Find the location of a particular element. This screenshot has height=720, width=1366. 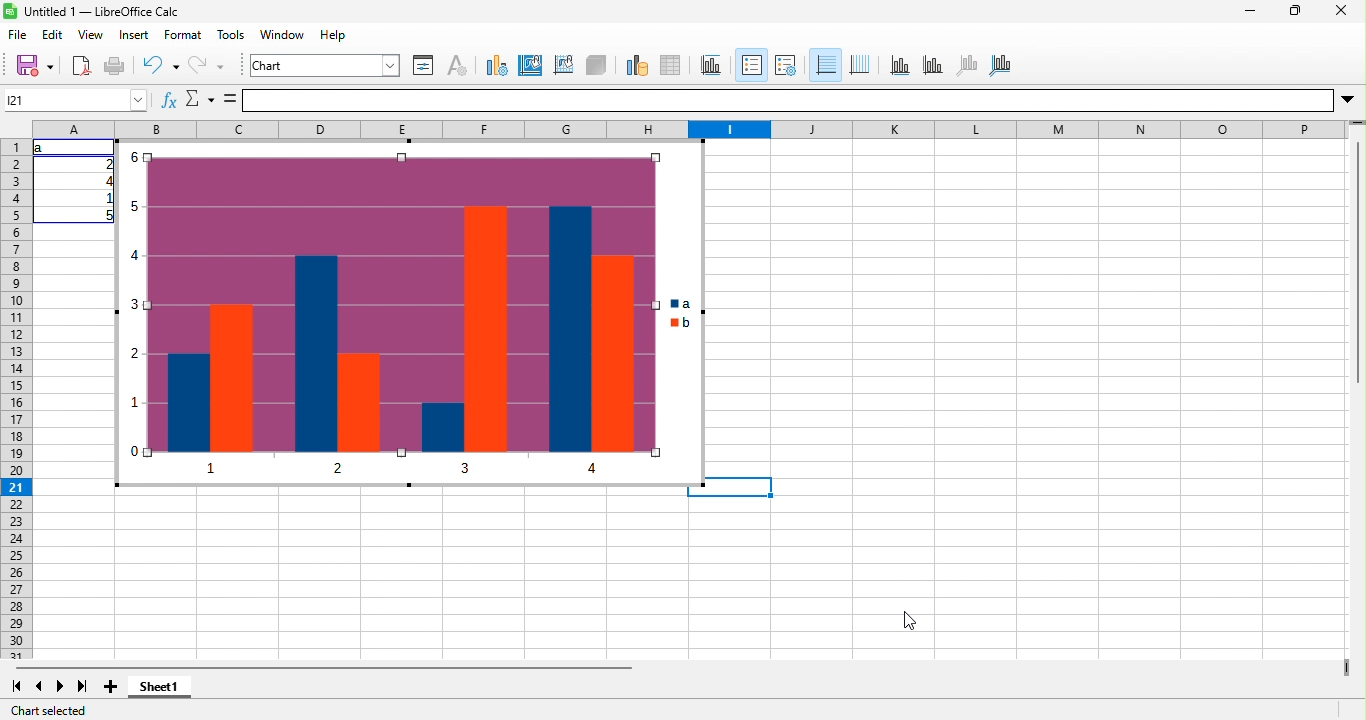

tools is located at coordinates (230, 34).